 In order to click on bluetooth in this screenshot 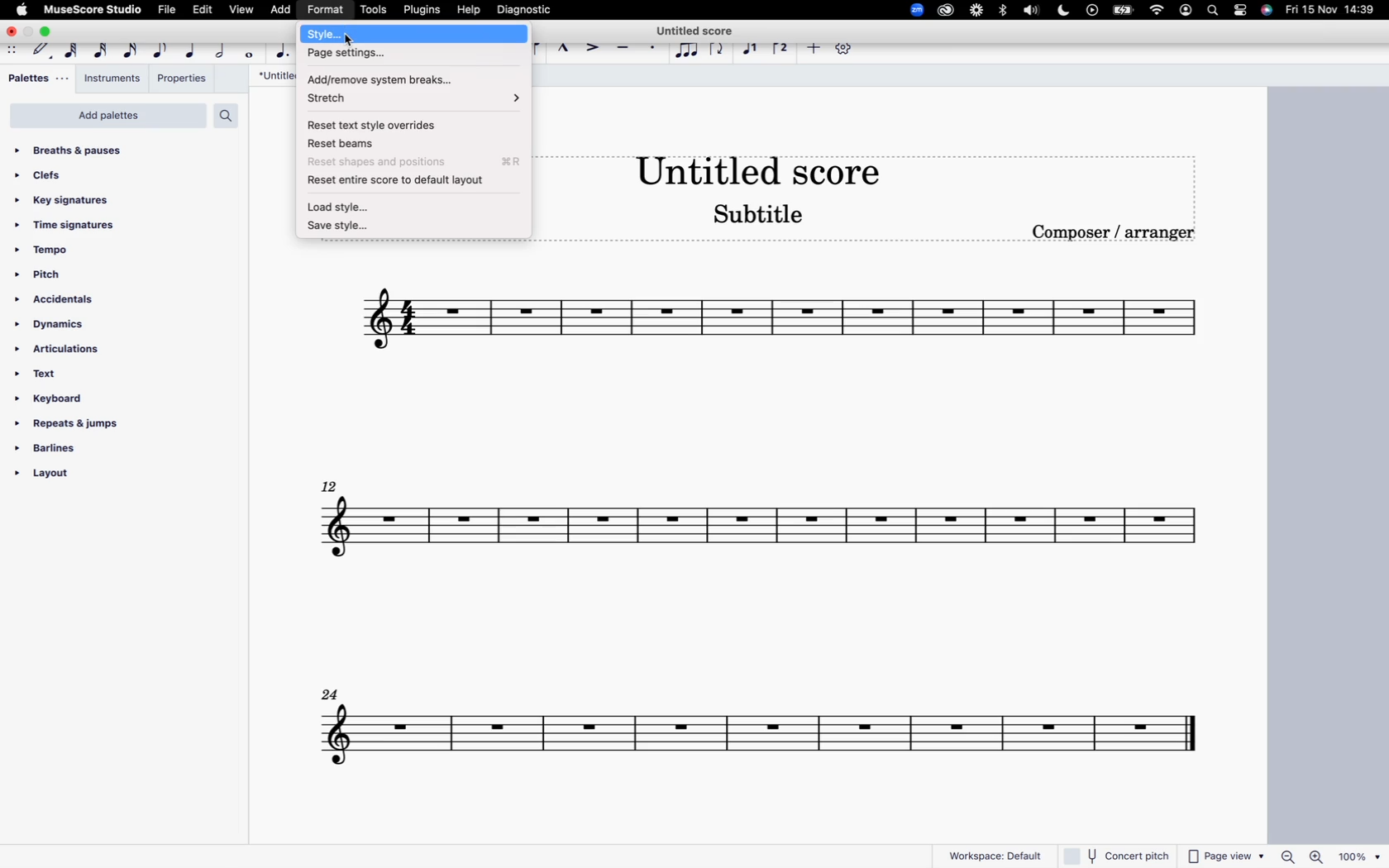, I will do `click(1001, 12)`.